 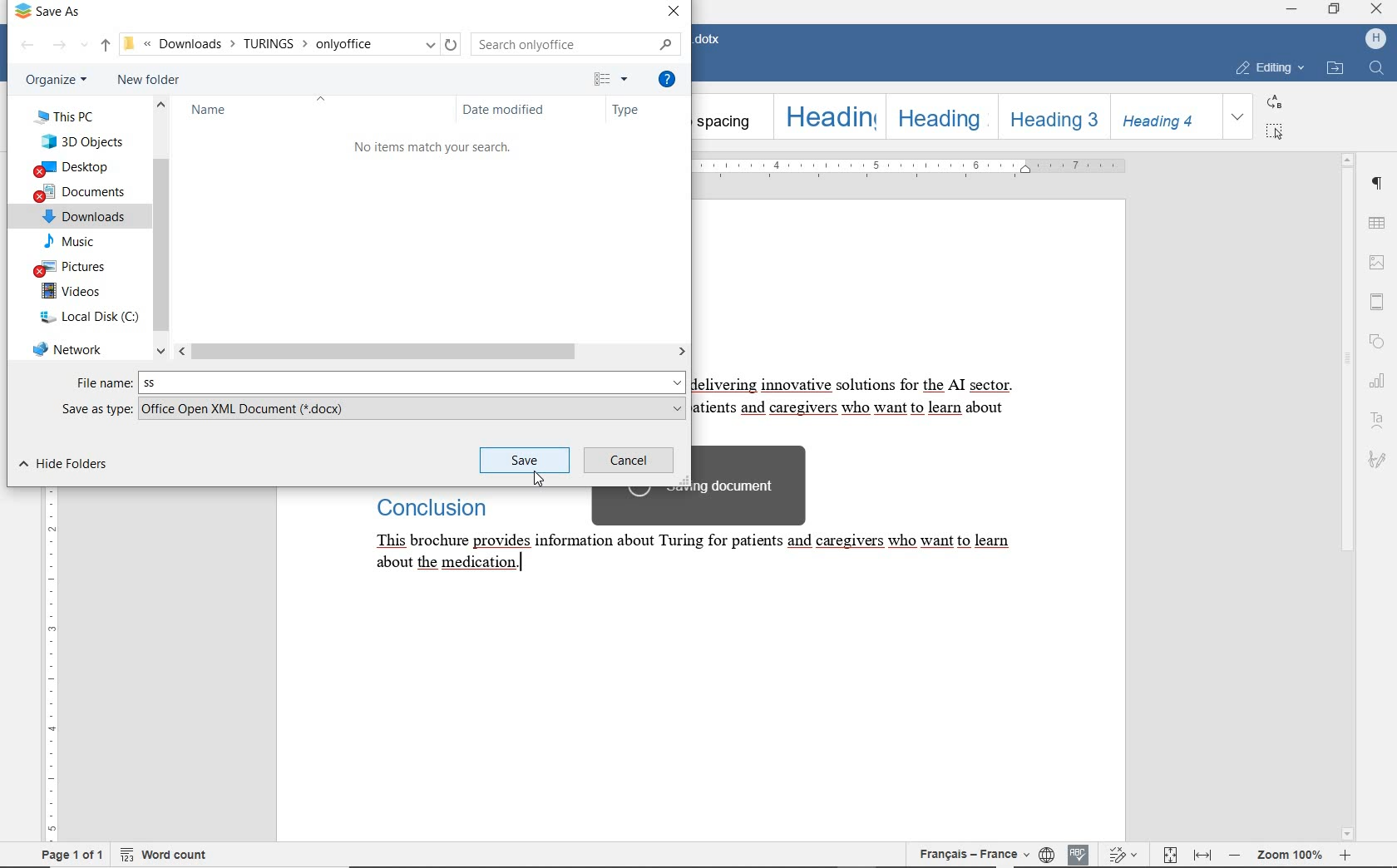 I want to click on close, so click(x=1375, y=8).